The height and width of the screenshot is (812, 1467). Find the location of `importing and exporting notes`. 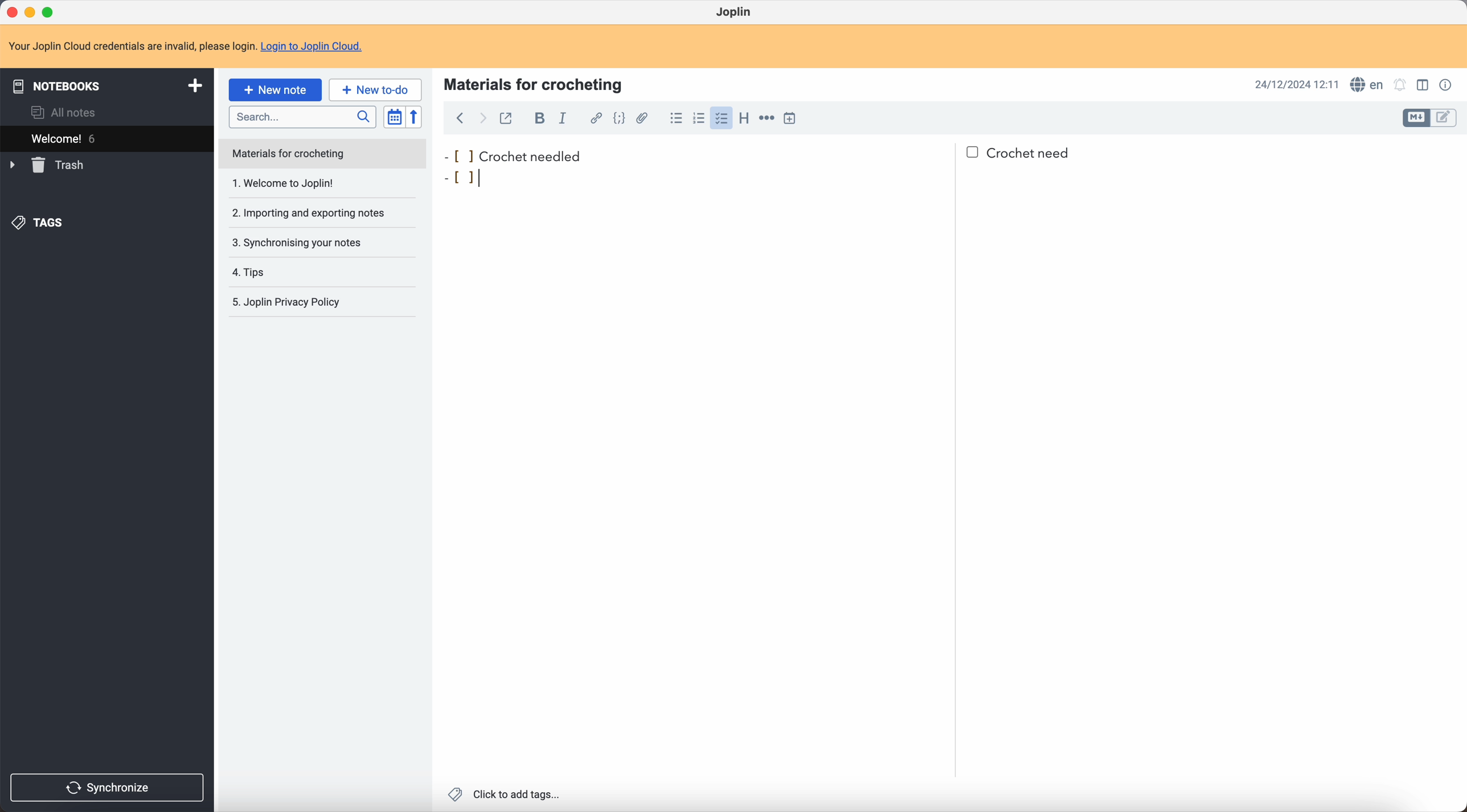

importing and exporting notes is located at coordinates (315, 212).